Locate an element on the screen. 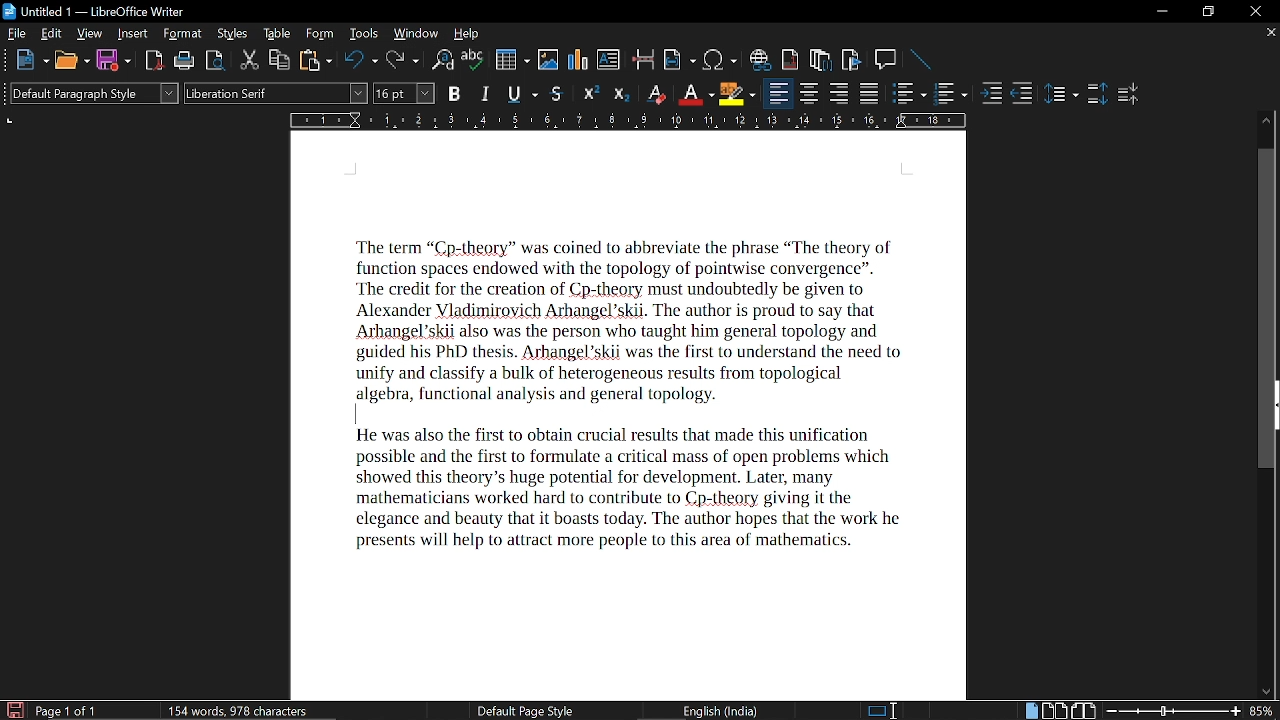  current window: Untitled 1 — LibreOffice Writer is located at coordinates (98, 13).